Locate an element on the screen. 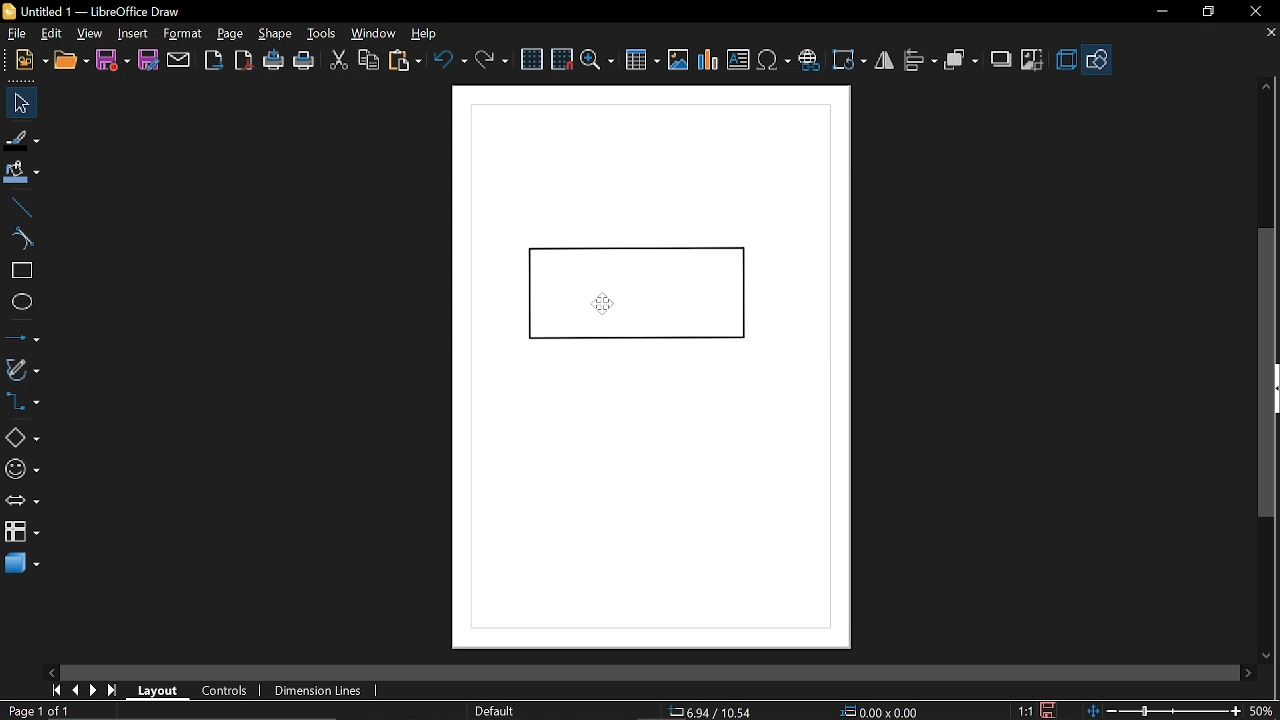  go to last page is located at coordinates (114, 691).